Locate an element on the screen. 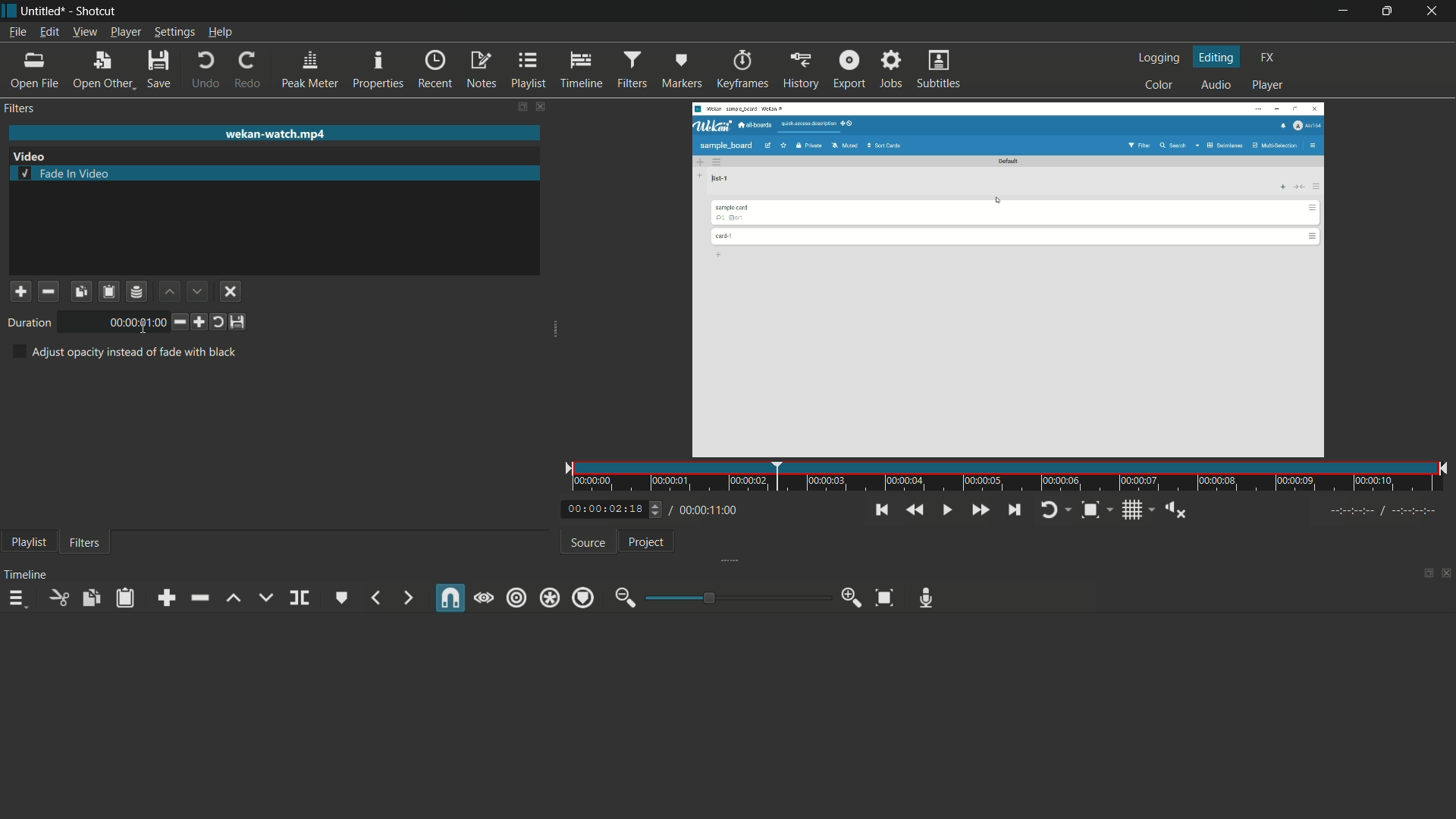 This screenshot has width=1456, height=819. filters is located at coordinates (631, 69).